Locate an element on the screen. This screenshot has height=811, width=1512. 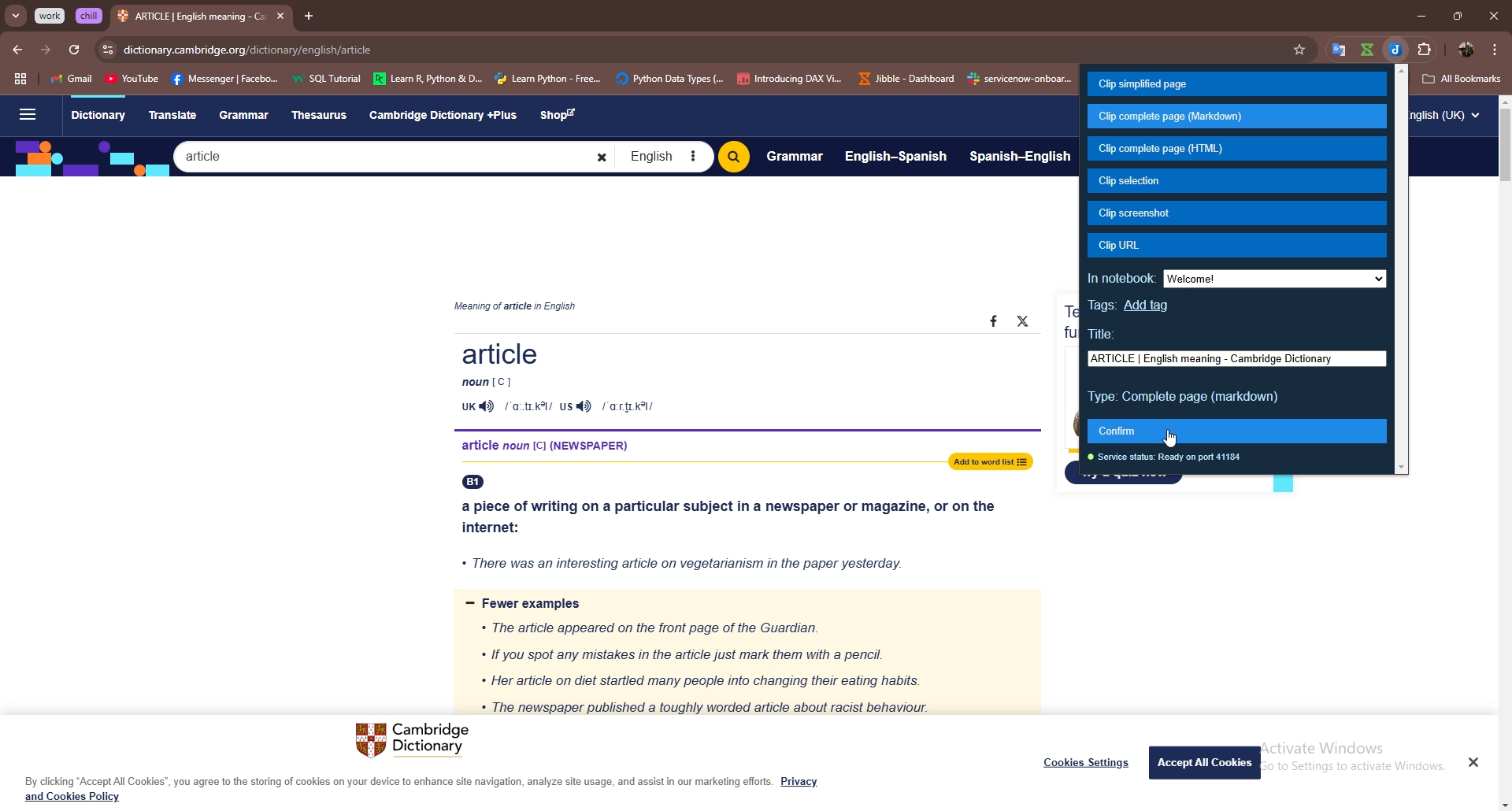
Search bitton is located at coordinates (733, 157).